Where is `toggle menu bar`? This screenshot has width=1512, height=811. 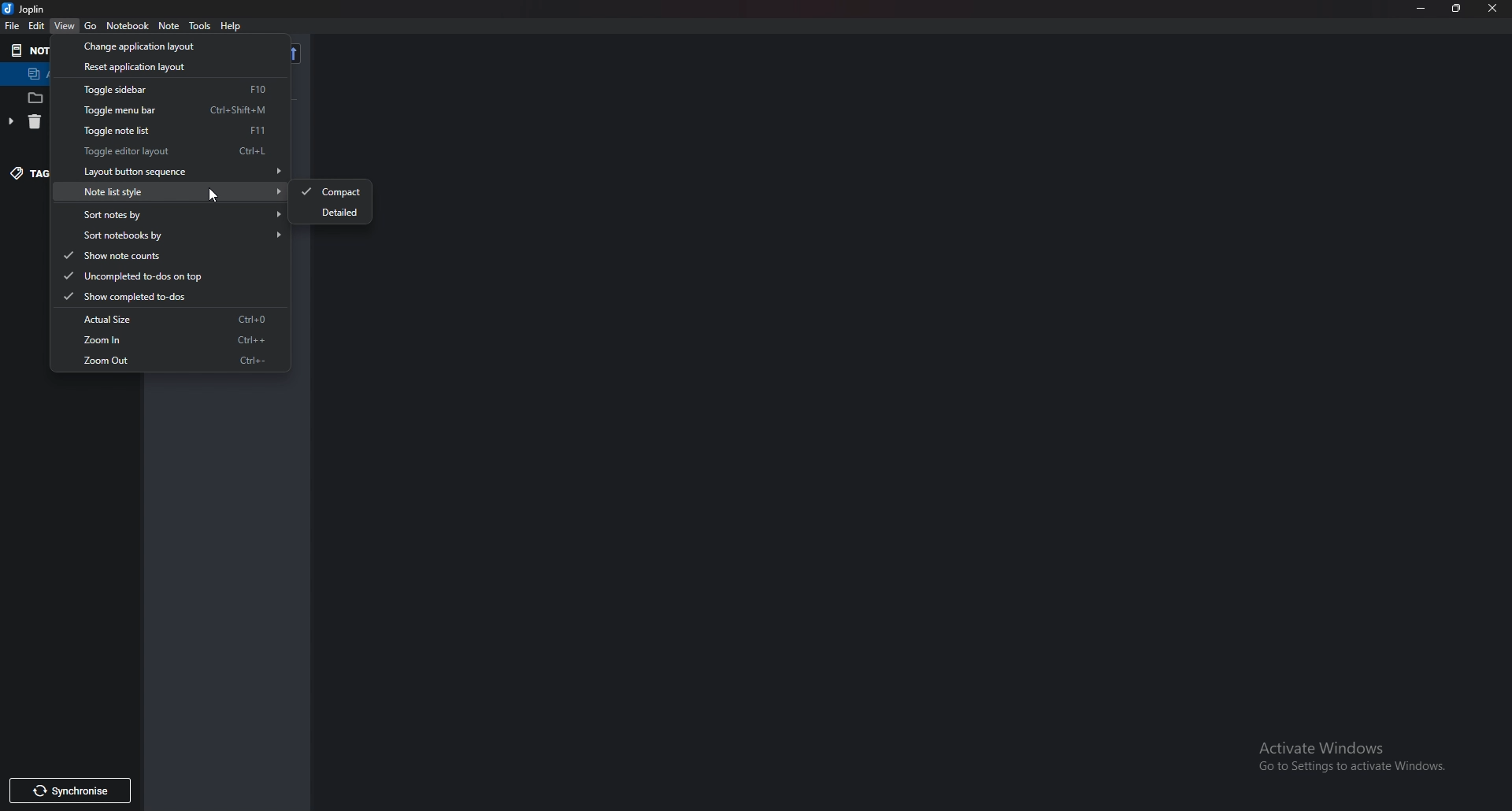 toggle menu bar is located at coordinates (187, 109).